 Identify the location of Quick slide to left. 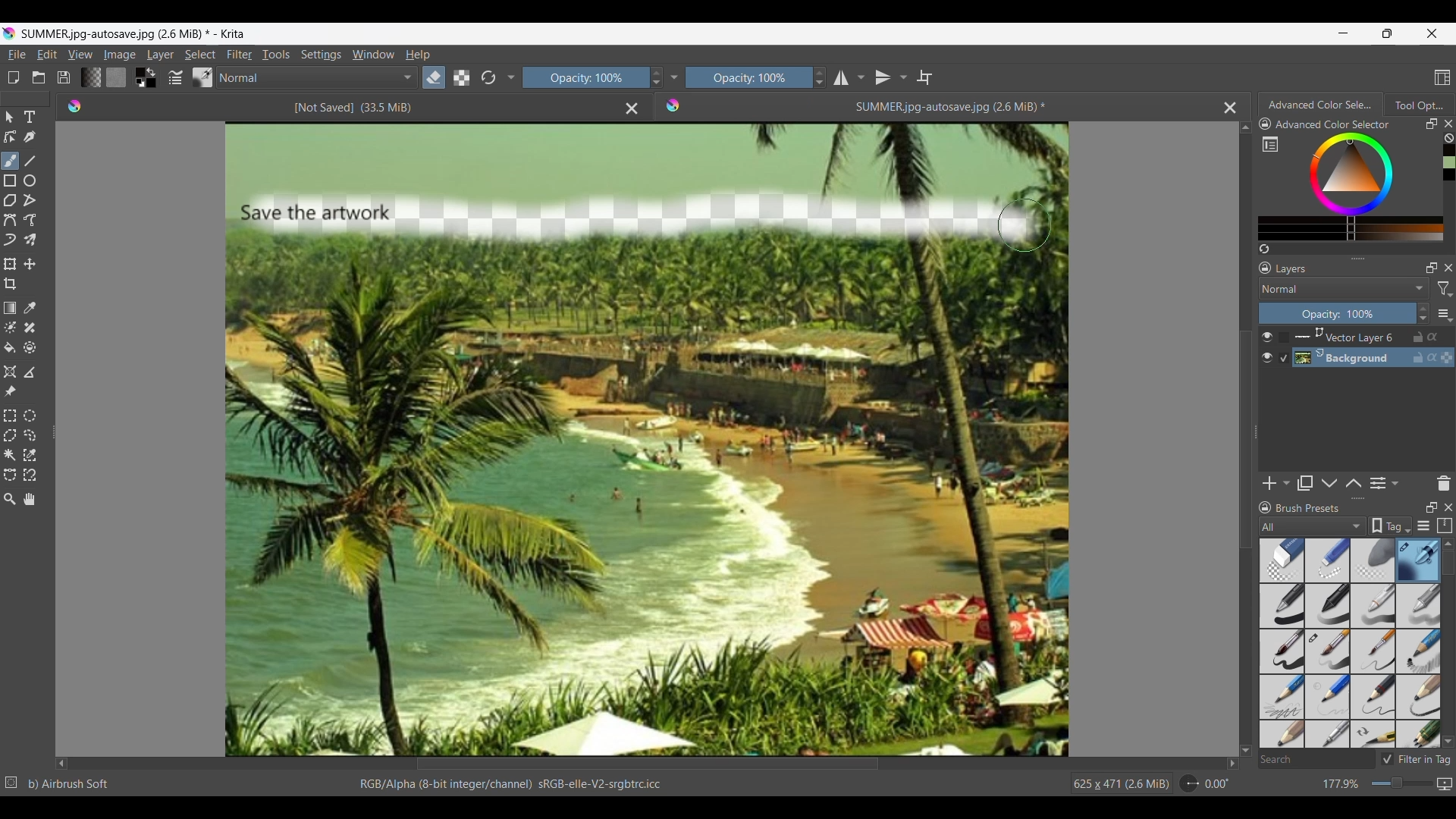
(61, 764).